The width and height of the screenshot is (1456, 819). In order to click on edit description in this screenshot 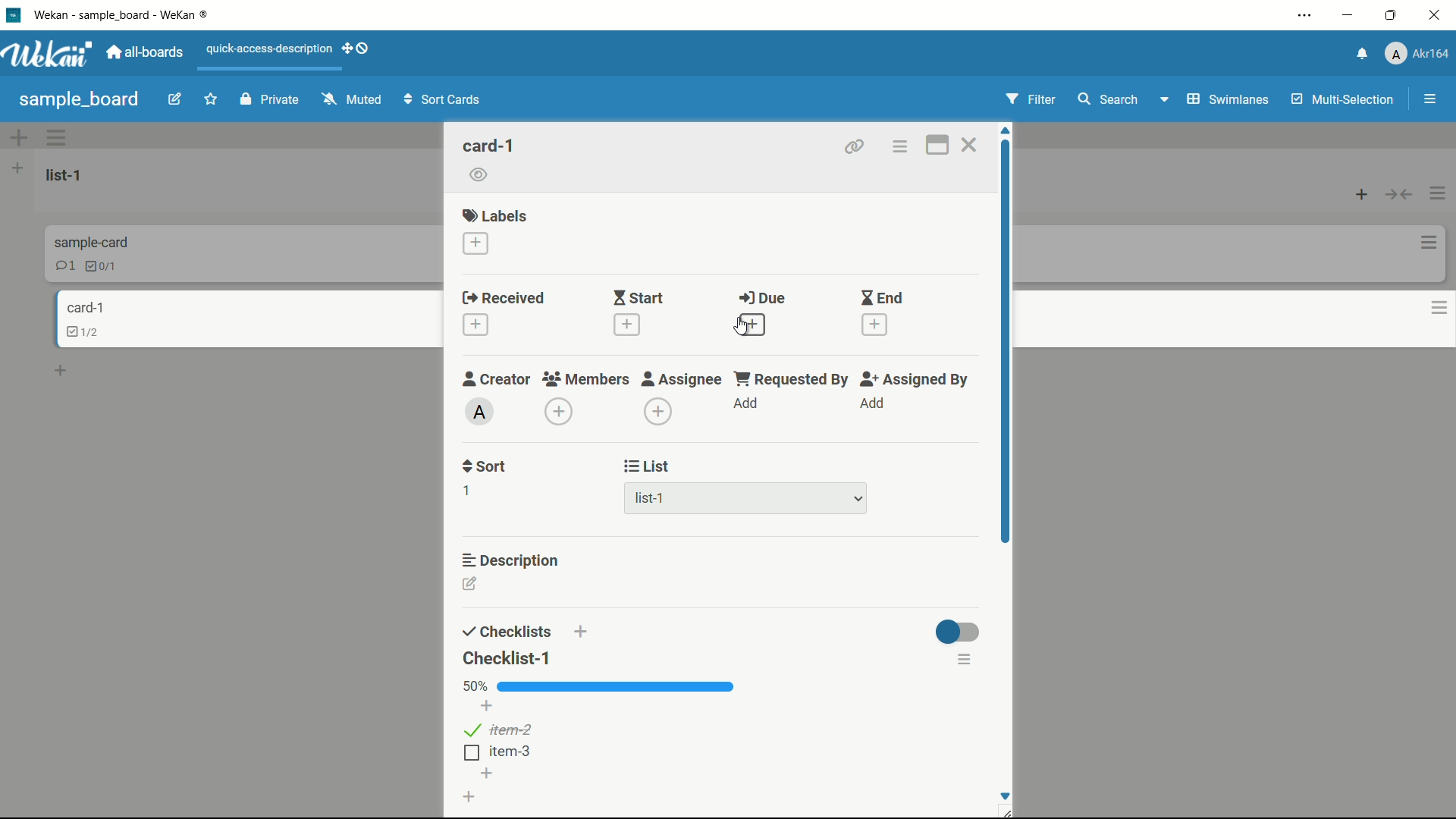, I will do `click(474, 585)`.